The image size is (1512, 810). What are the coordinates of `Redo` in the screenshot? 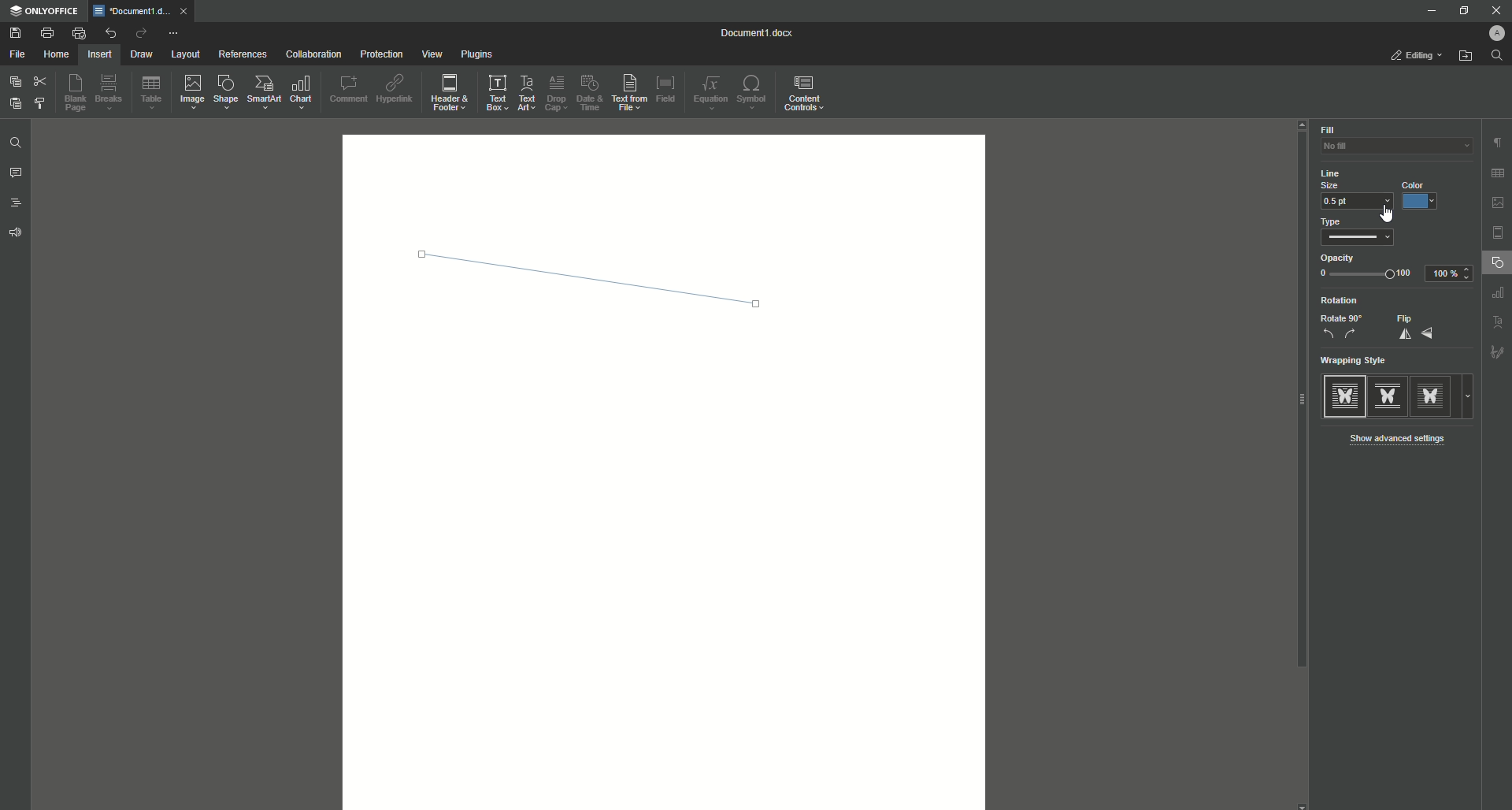 It's located at (139, 34).